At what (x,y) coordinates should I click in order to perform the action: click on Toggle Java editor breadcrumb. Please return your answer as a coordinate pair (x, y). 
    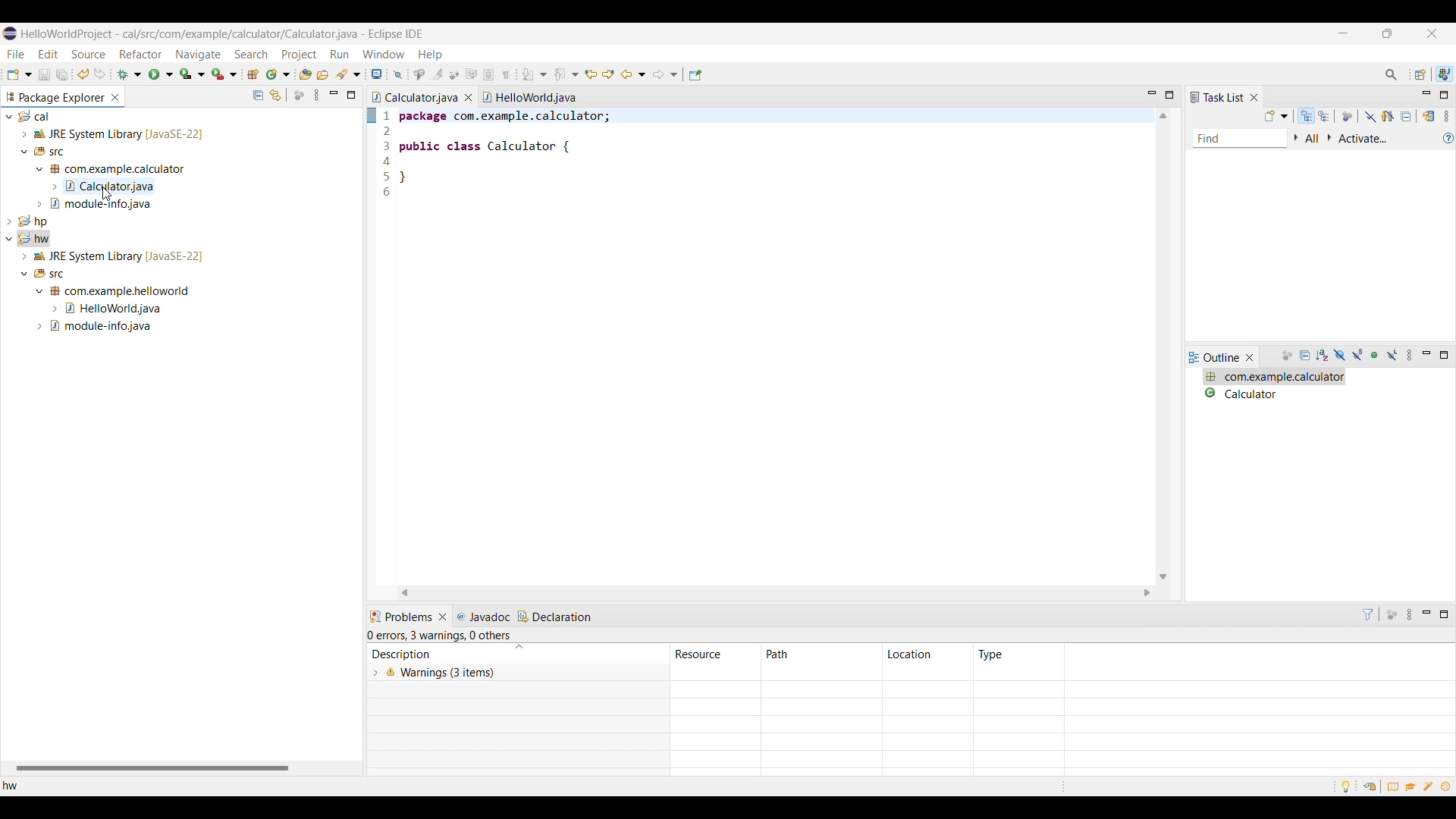
    Looking at the image, I should click on (419, 75).